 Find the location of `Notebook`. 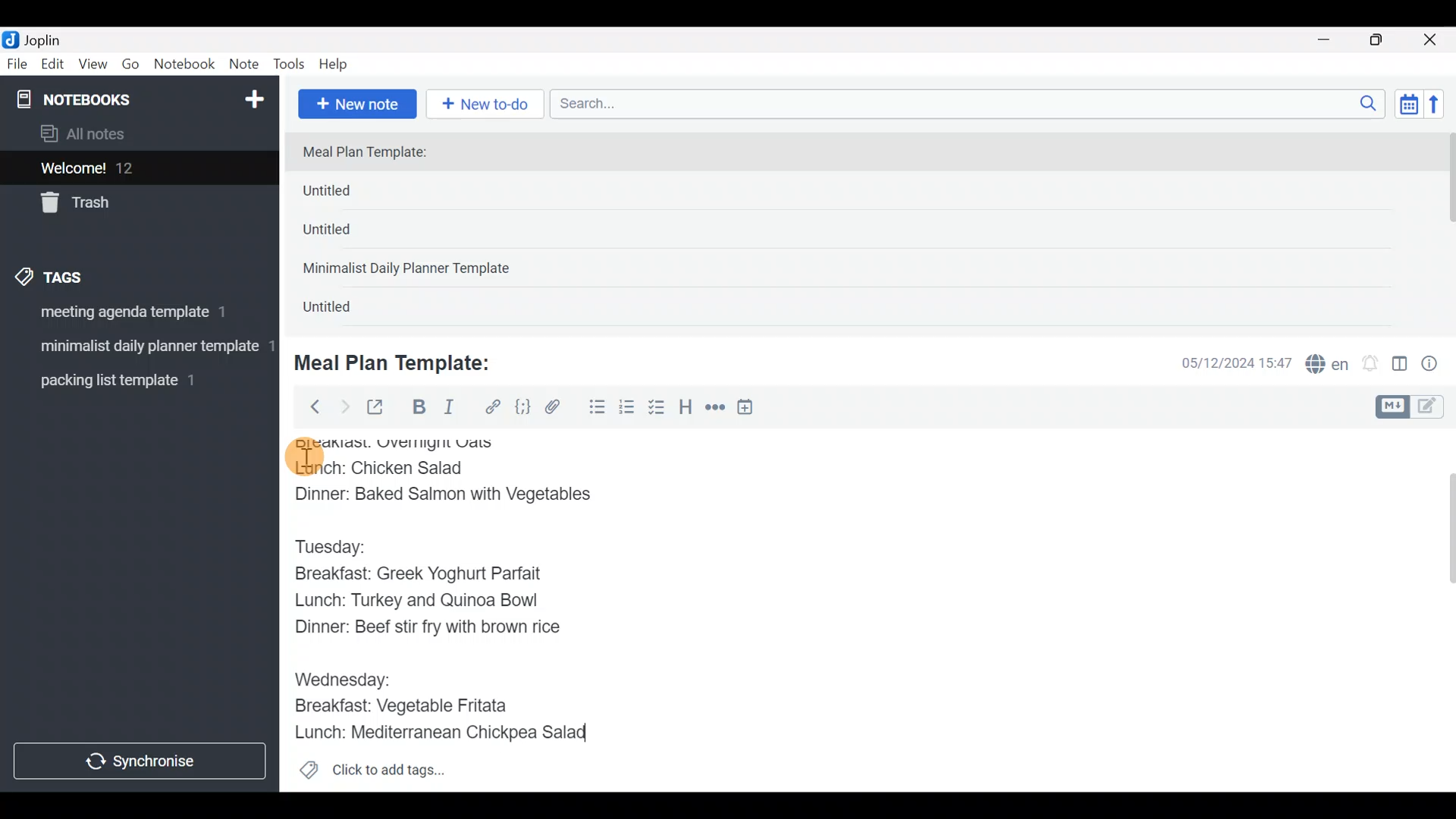

Notebook is located at coordinates (185, 64).